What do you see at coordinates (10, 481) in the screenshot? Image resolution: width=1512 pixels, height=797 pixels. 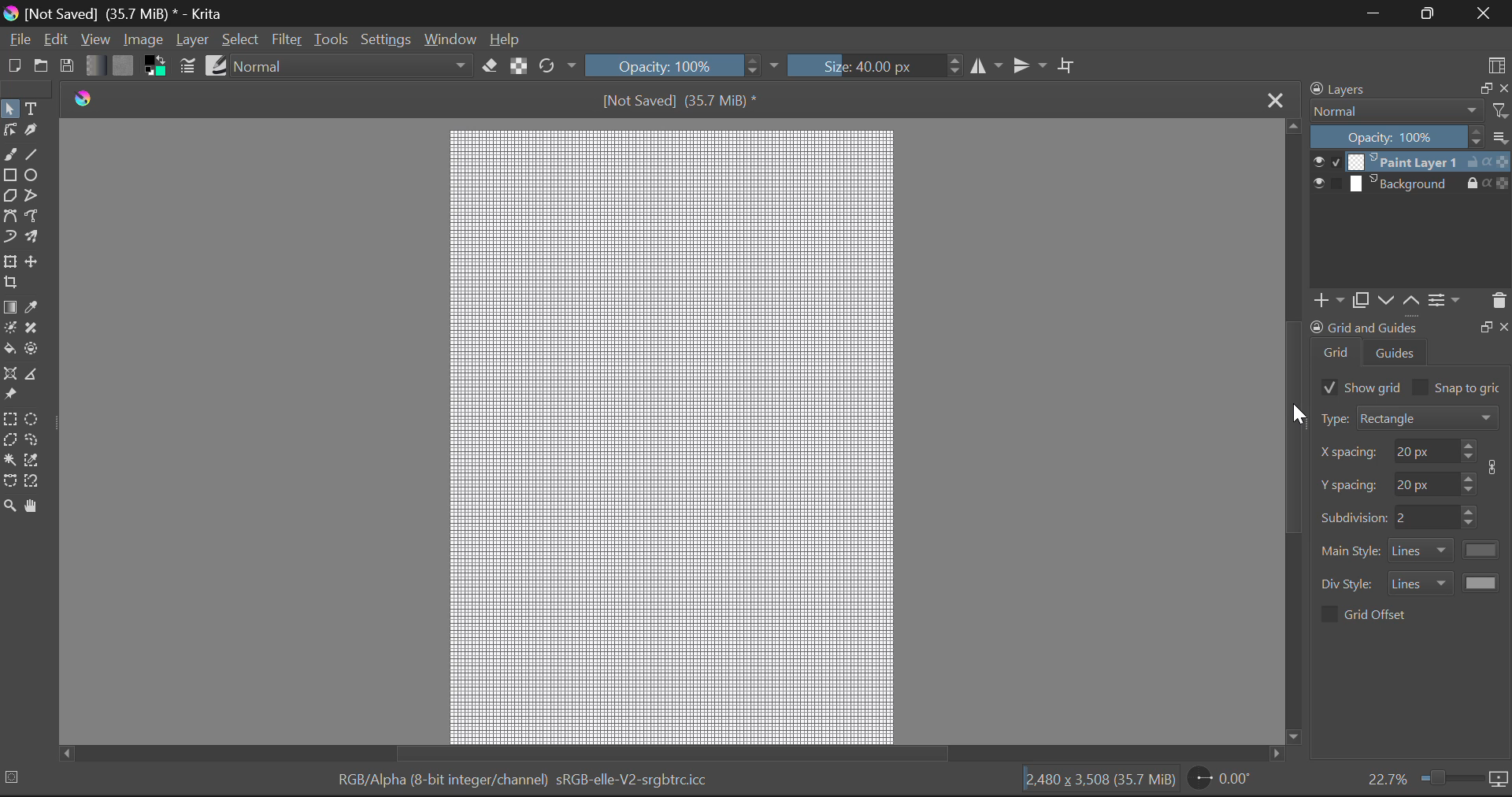 I see `Bezier Curve Selection` at bounding box center [10, 481].